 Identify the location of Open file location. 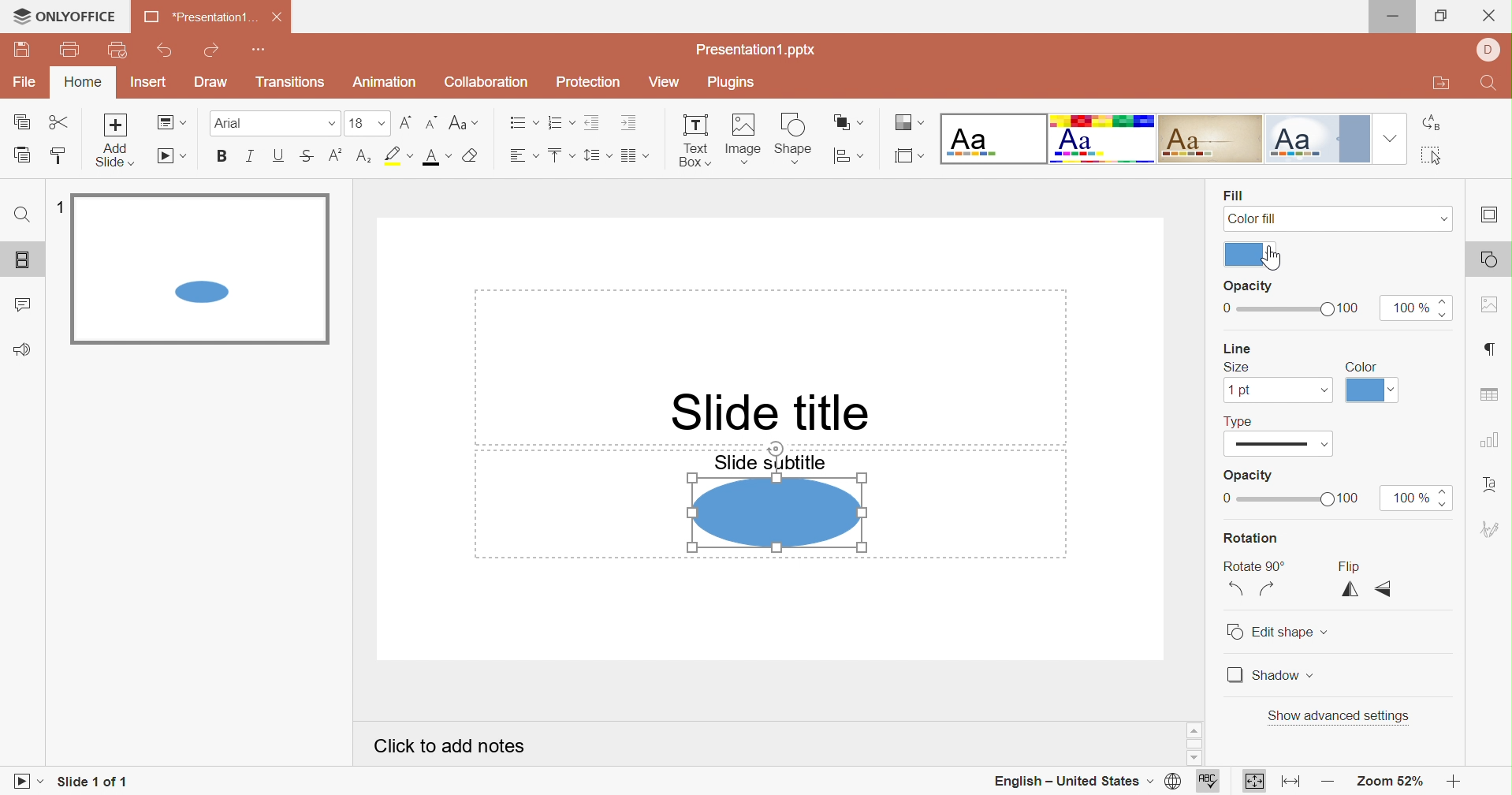
(1440, 84).